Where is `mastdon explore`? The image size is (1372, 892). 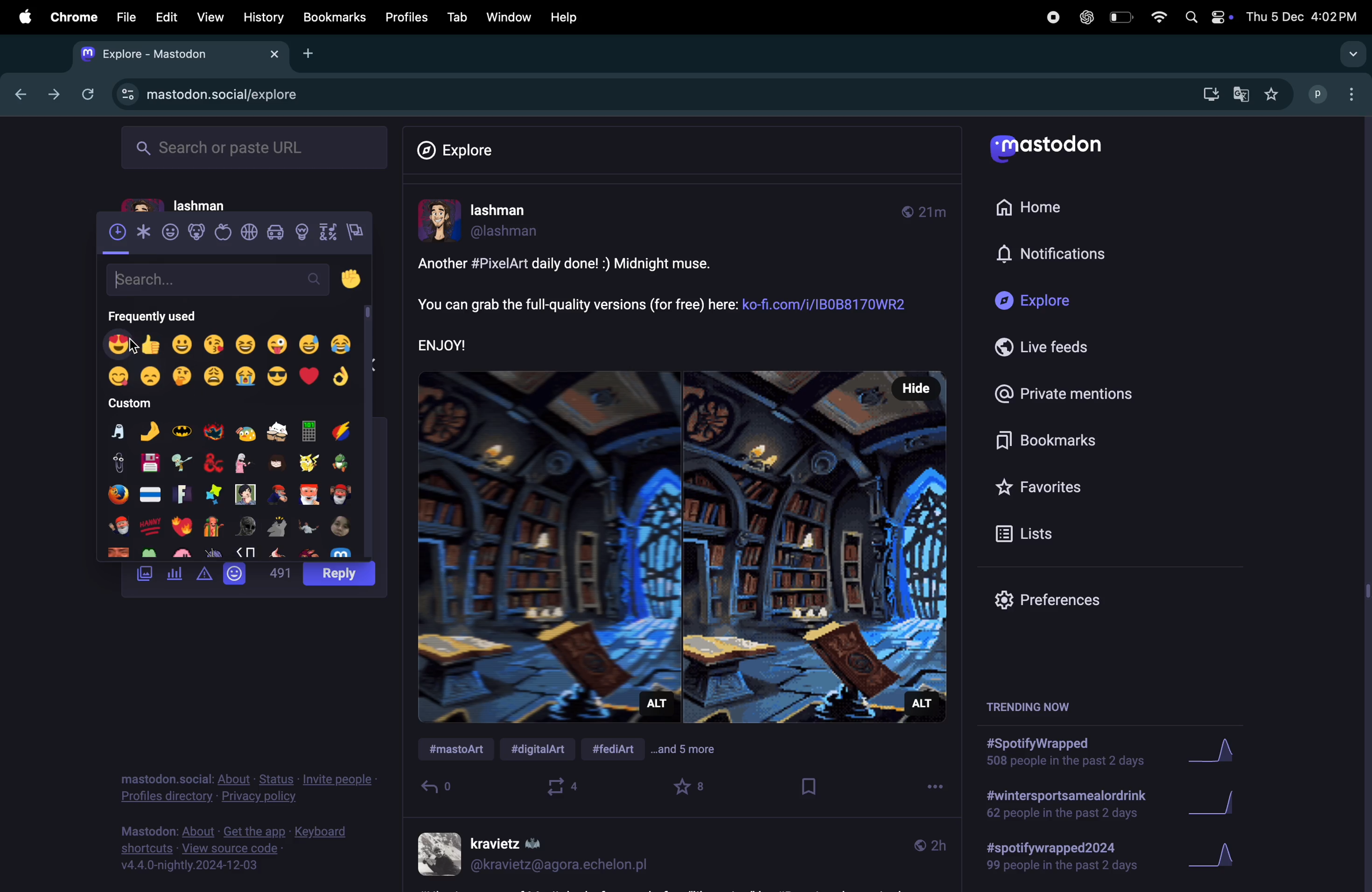
mastdon explore is located at coordinates (224, 95).